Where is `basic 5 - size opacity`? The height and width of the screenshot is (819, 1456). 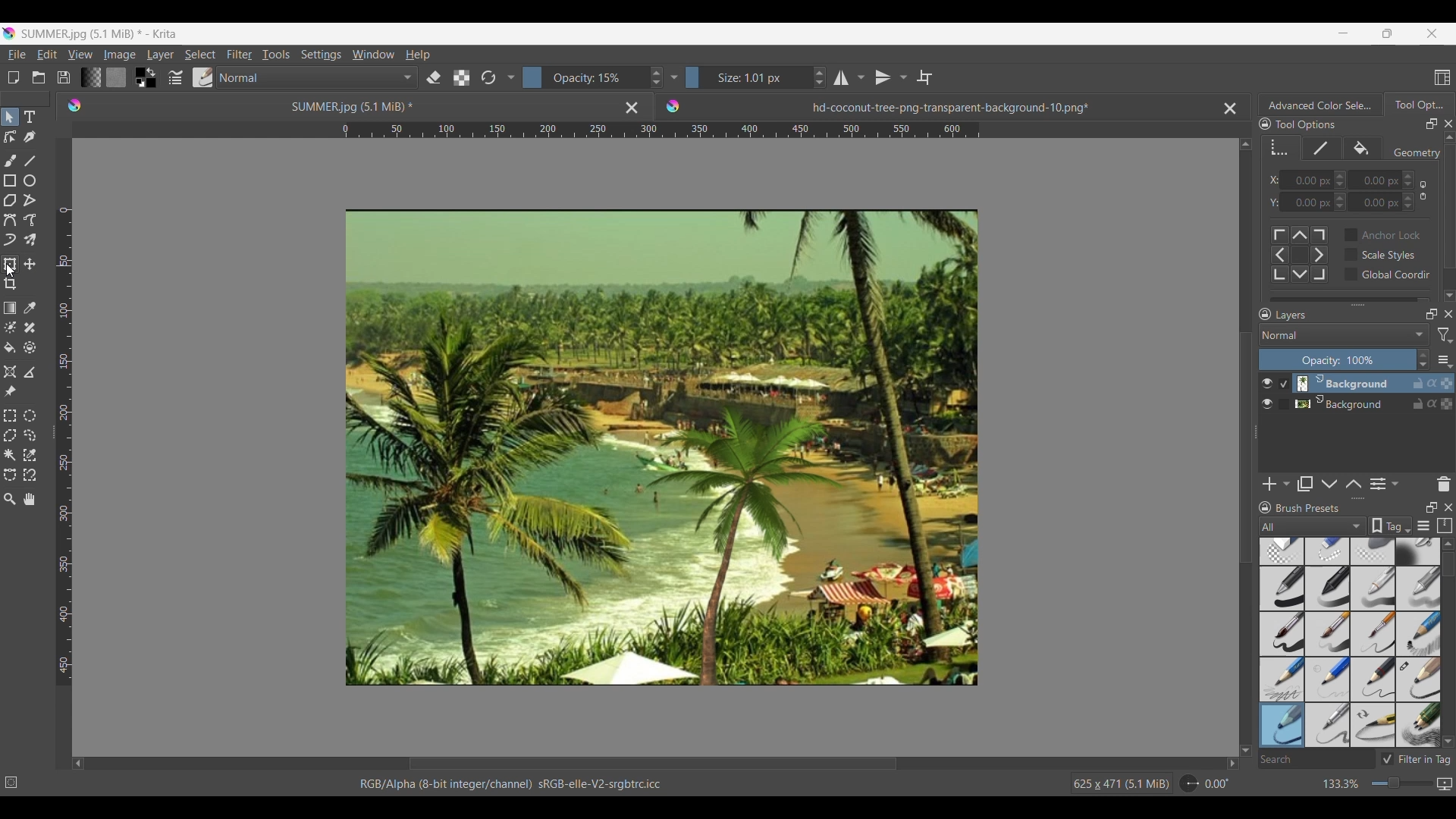 basic 5 - size opacity is located at coordinates (1329, 634).